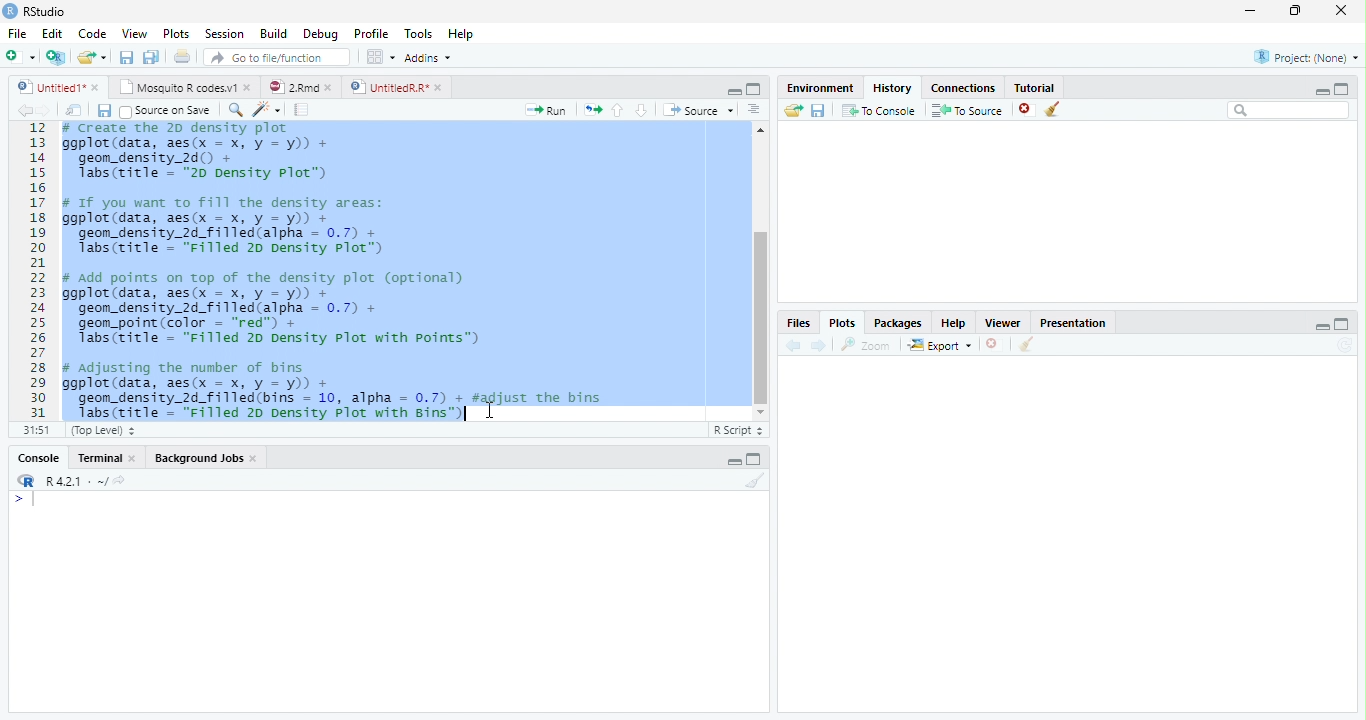 The width and height of the screenshot is (1366, 720). What do you see at coordinates (70, 481) in the screenshot?
I see `R421 - ~/` at bounding box center [70, 481].